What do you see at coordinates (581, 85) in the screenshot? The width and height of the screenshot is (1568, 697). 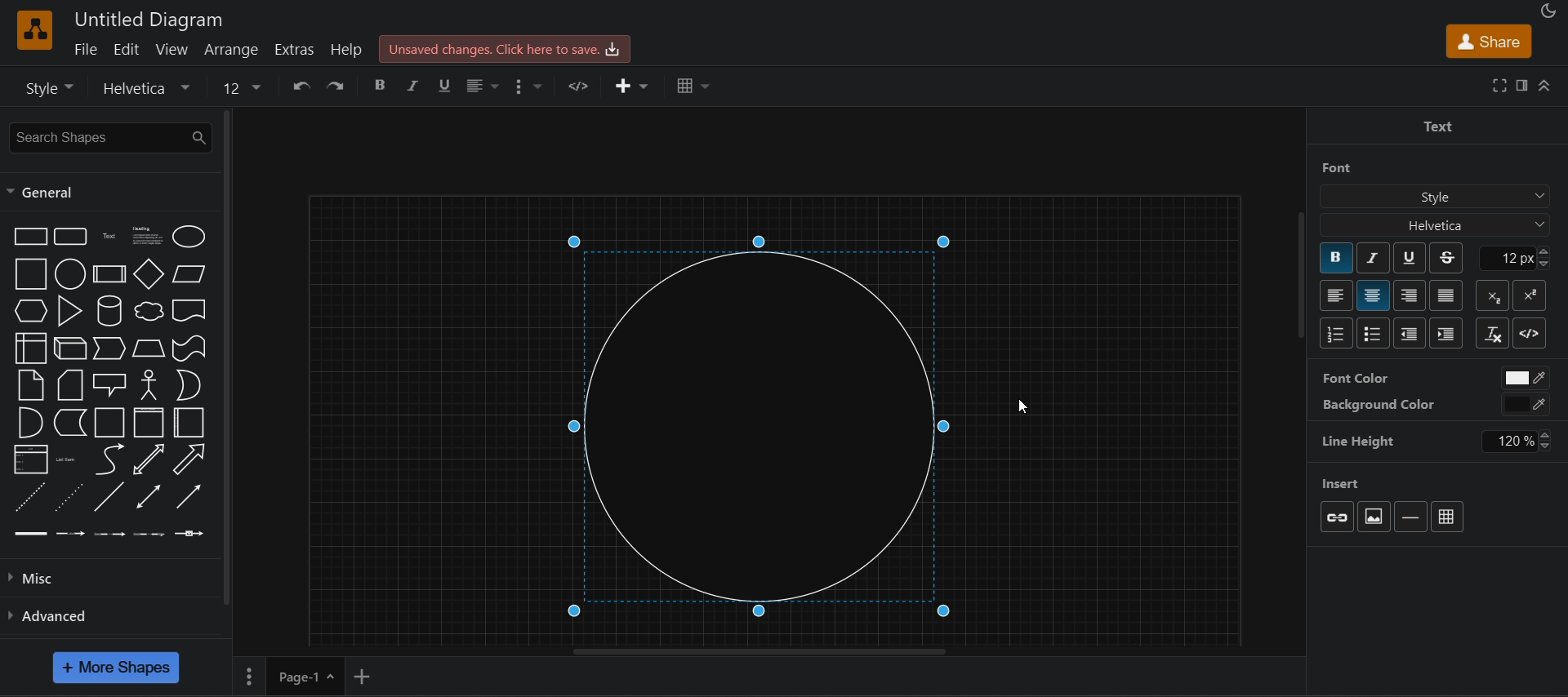 I see `HTML` at bounding box center [581, 85].